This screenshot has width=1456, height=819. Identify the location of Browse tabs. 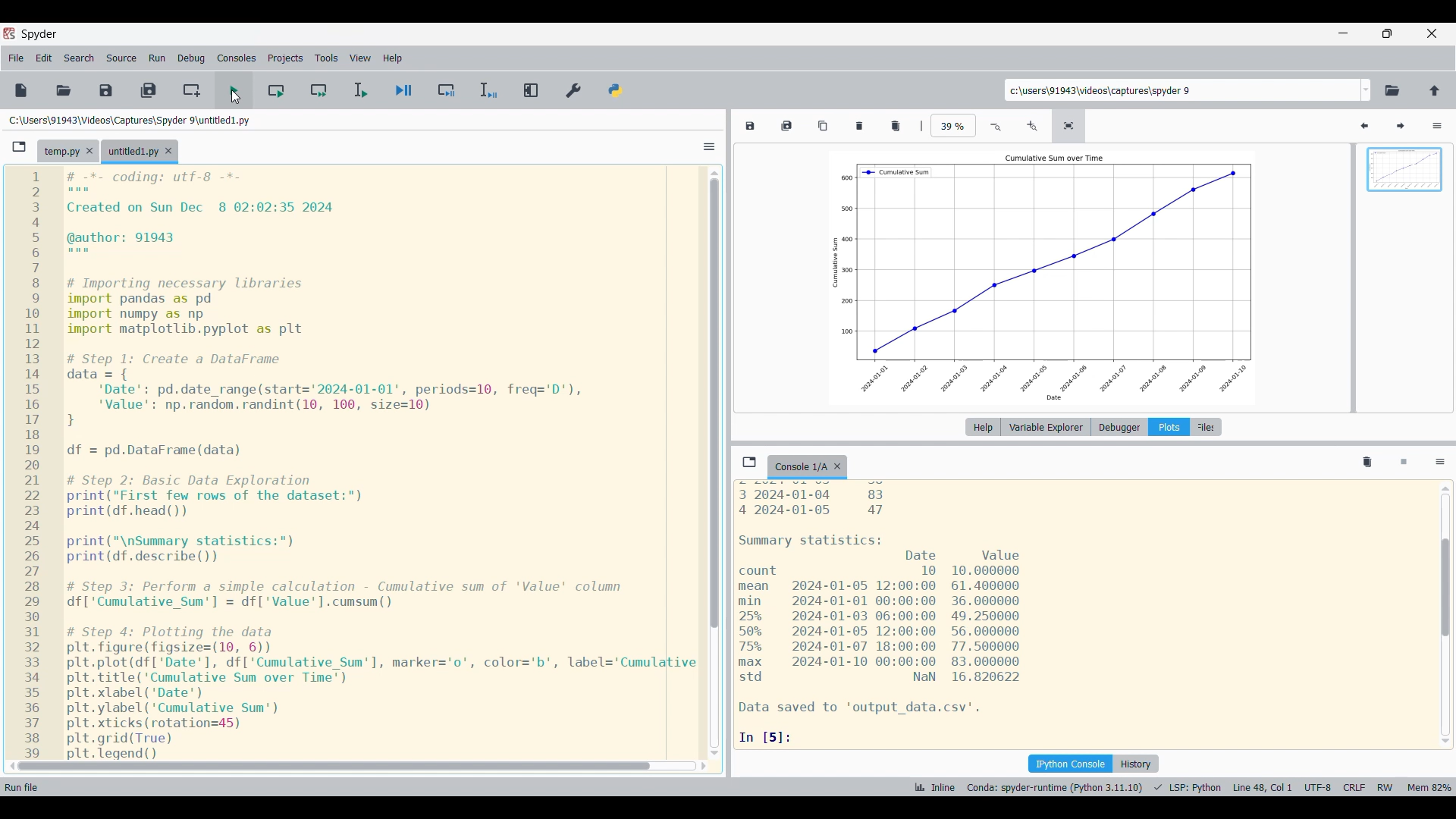
(749, 462).